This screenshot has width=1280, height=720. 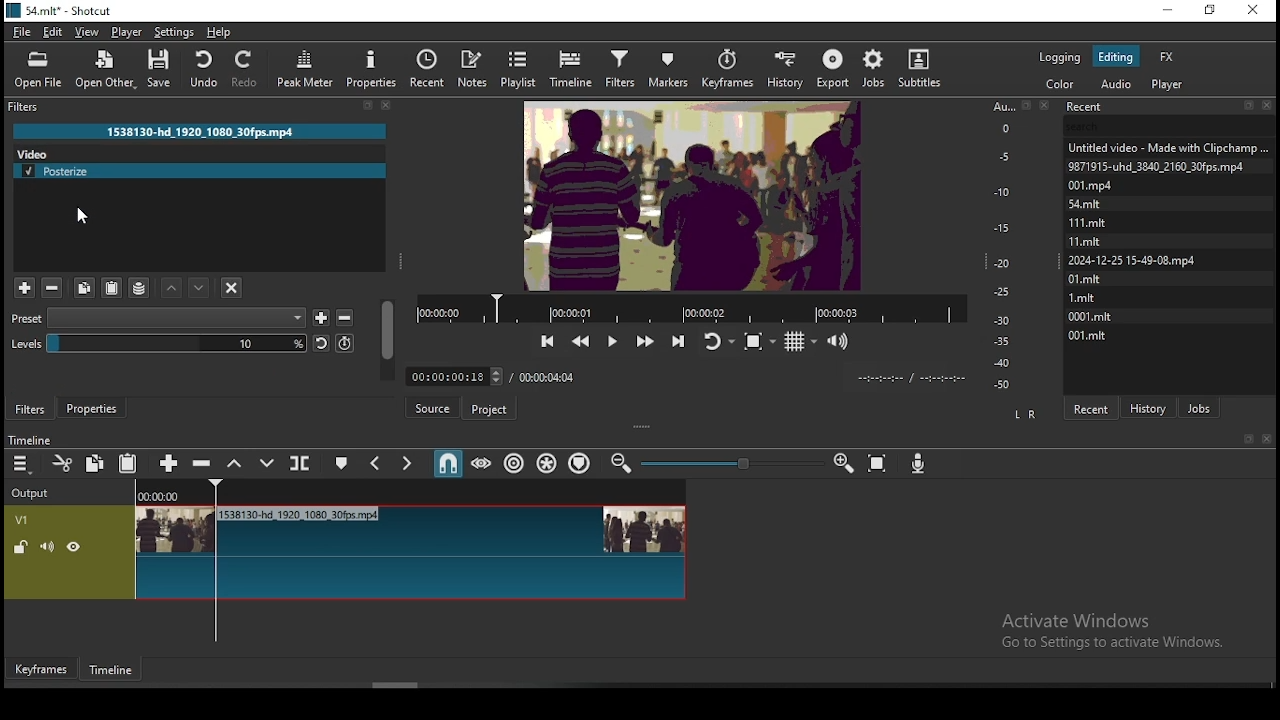 What do you see at coordinates (41, 670) in the screenshot?
I see `keyframe` at bounding box center [41, 670].